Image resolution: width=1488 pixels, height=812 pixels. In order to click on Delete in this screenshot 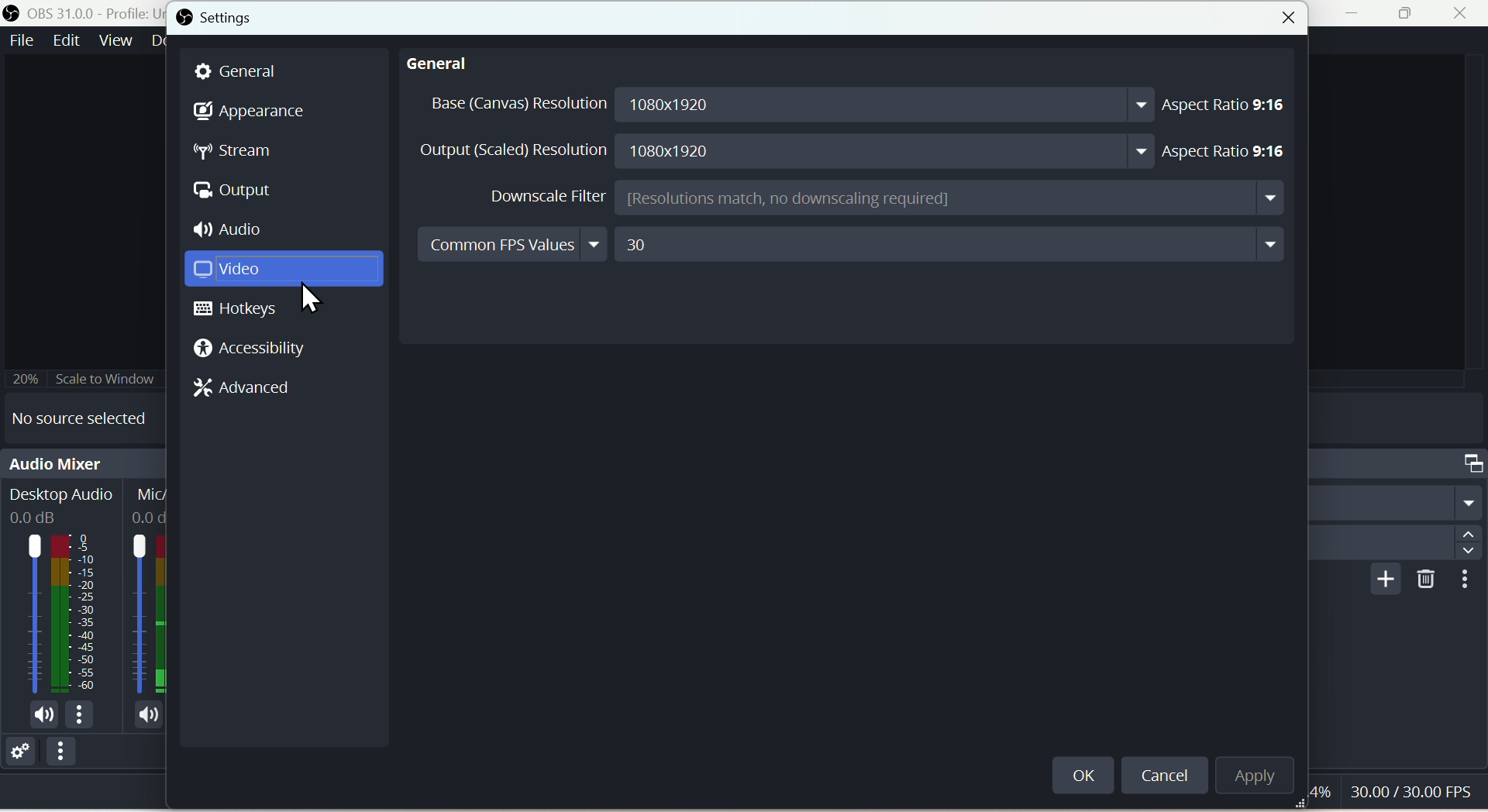, I will do `click(1422, 580)`.